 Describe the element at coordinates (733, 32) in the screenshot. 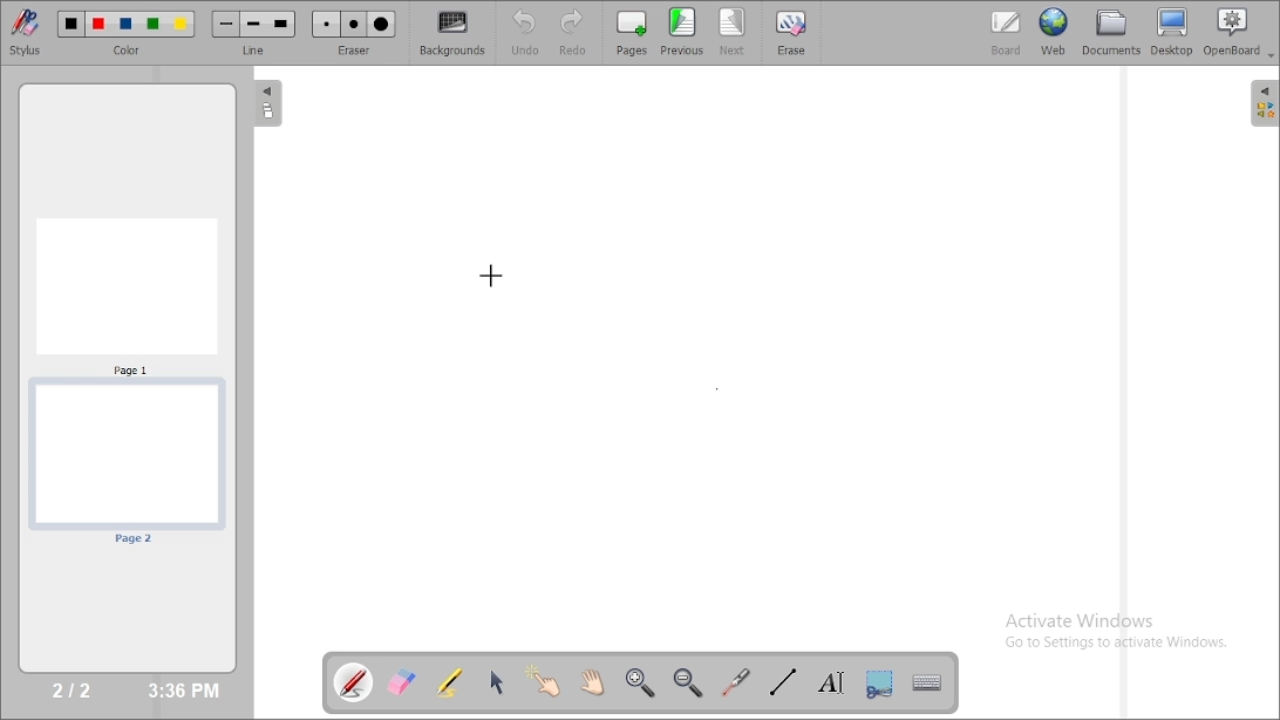

I see `next` at that location.